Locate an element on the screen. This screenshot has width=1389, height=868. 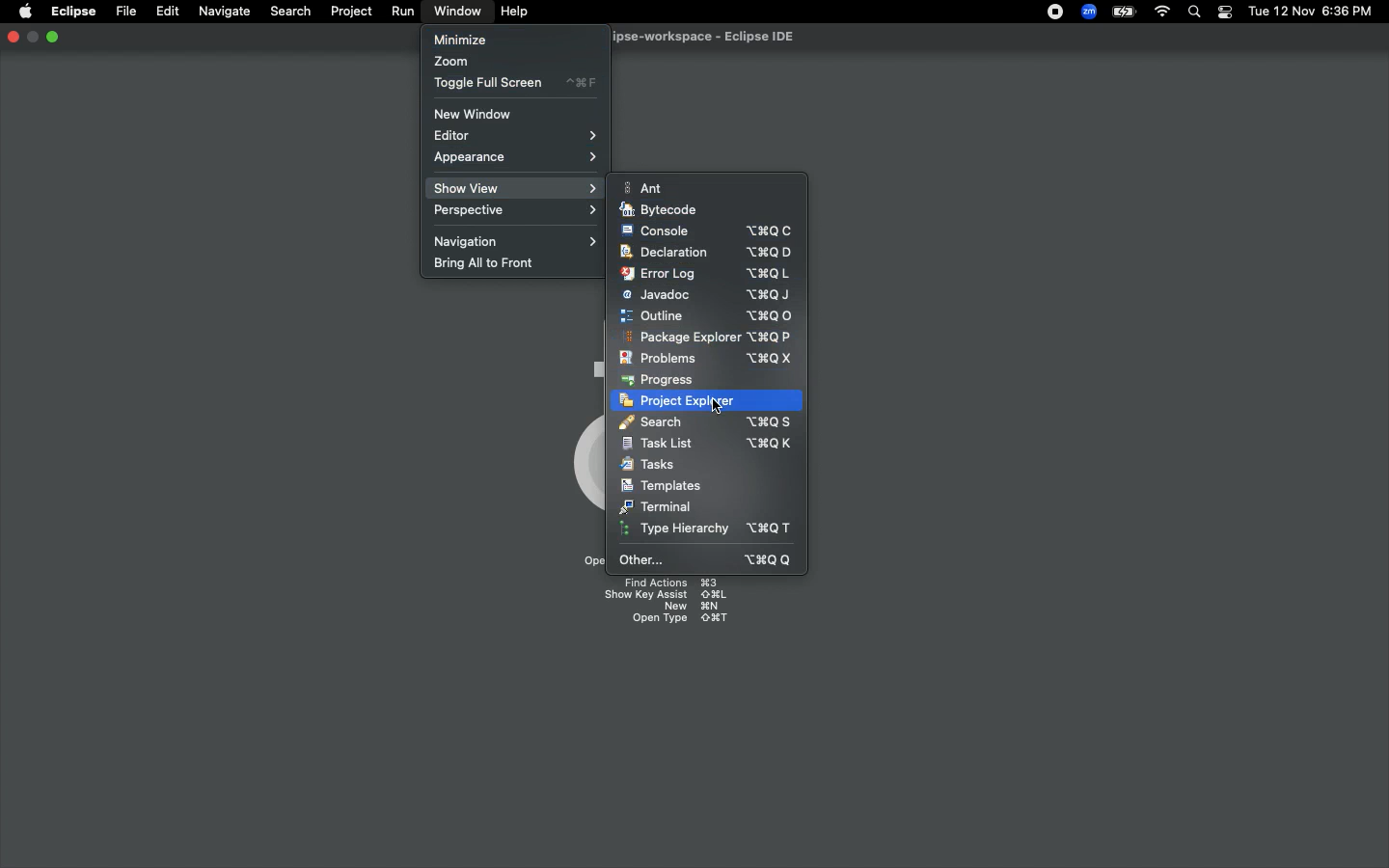
Minimize is located at coordinates (460, 39).